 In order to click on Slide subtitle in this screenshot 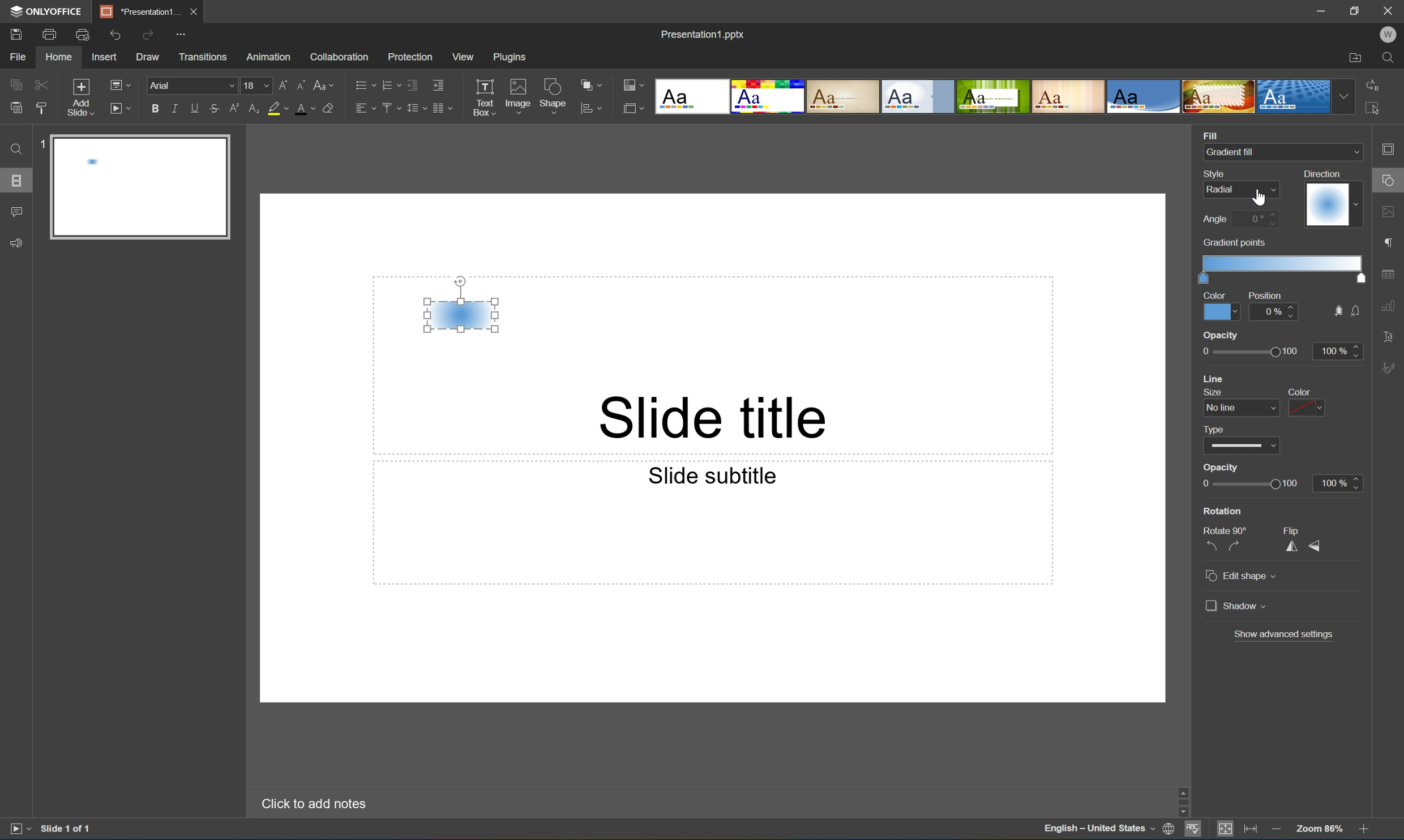, I will do `click(709, 474)`.